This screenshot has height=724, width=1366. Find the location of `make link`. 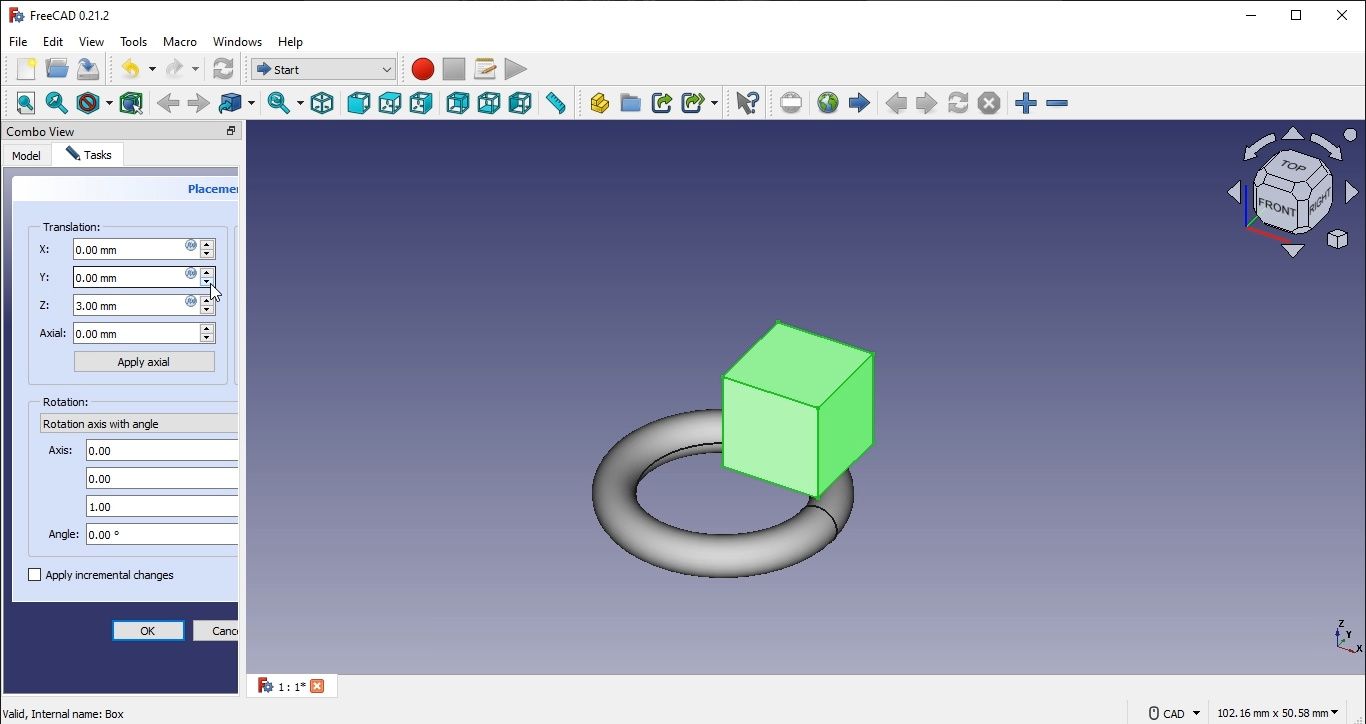

make link is located at coordinates (661, 102).